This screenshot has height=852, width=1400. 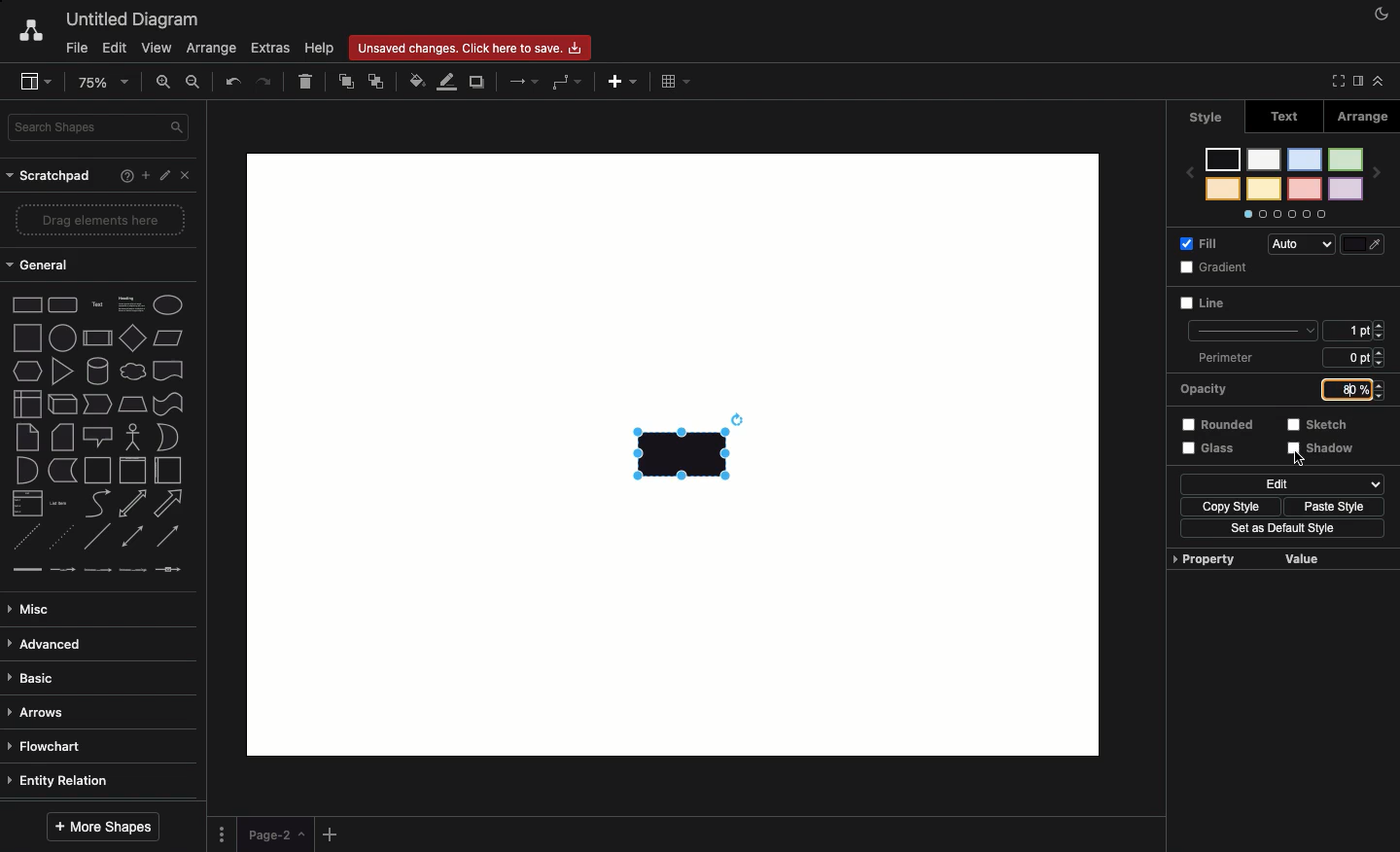 I want to click on Auto, so click(x=1302, y=243).